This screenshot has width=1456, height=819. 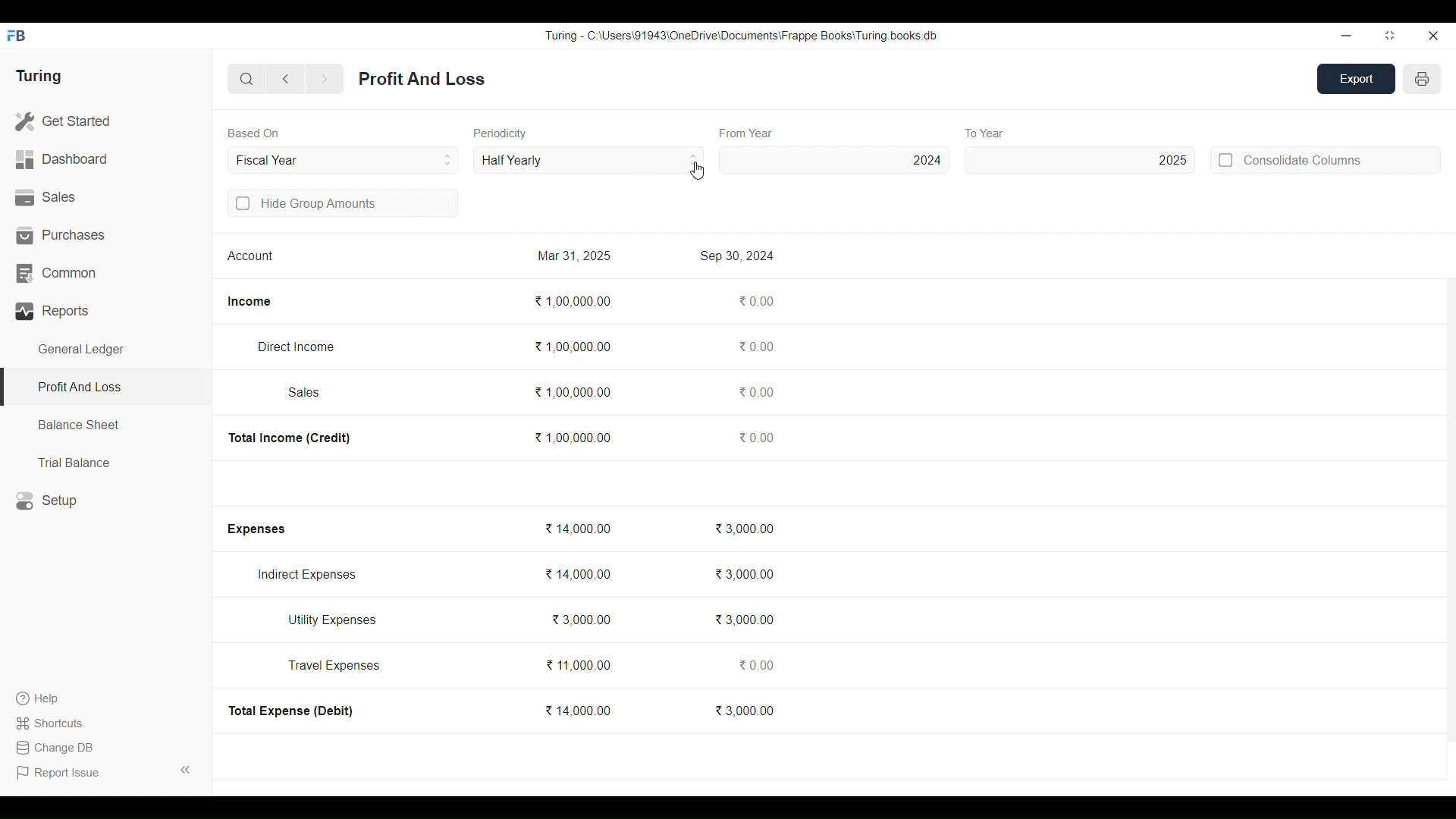 I want to click on Dashboard, so click(x=105, y=160).